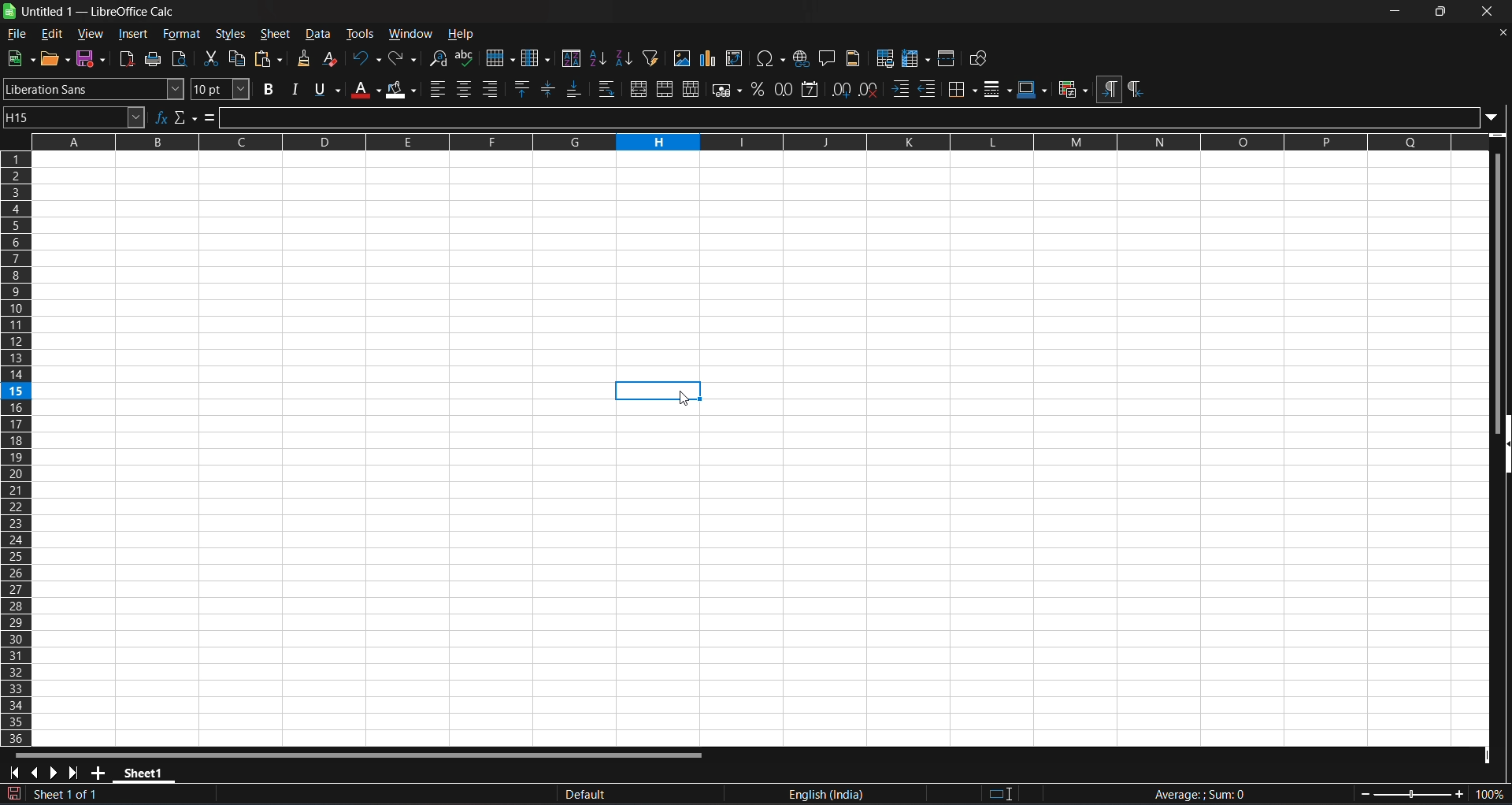 This screenshot has width=1512, height=805. What do you see at coordinates (666, 90) in the screenshot?
I see `merge cells` at bounding box center [666, 90].